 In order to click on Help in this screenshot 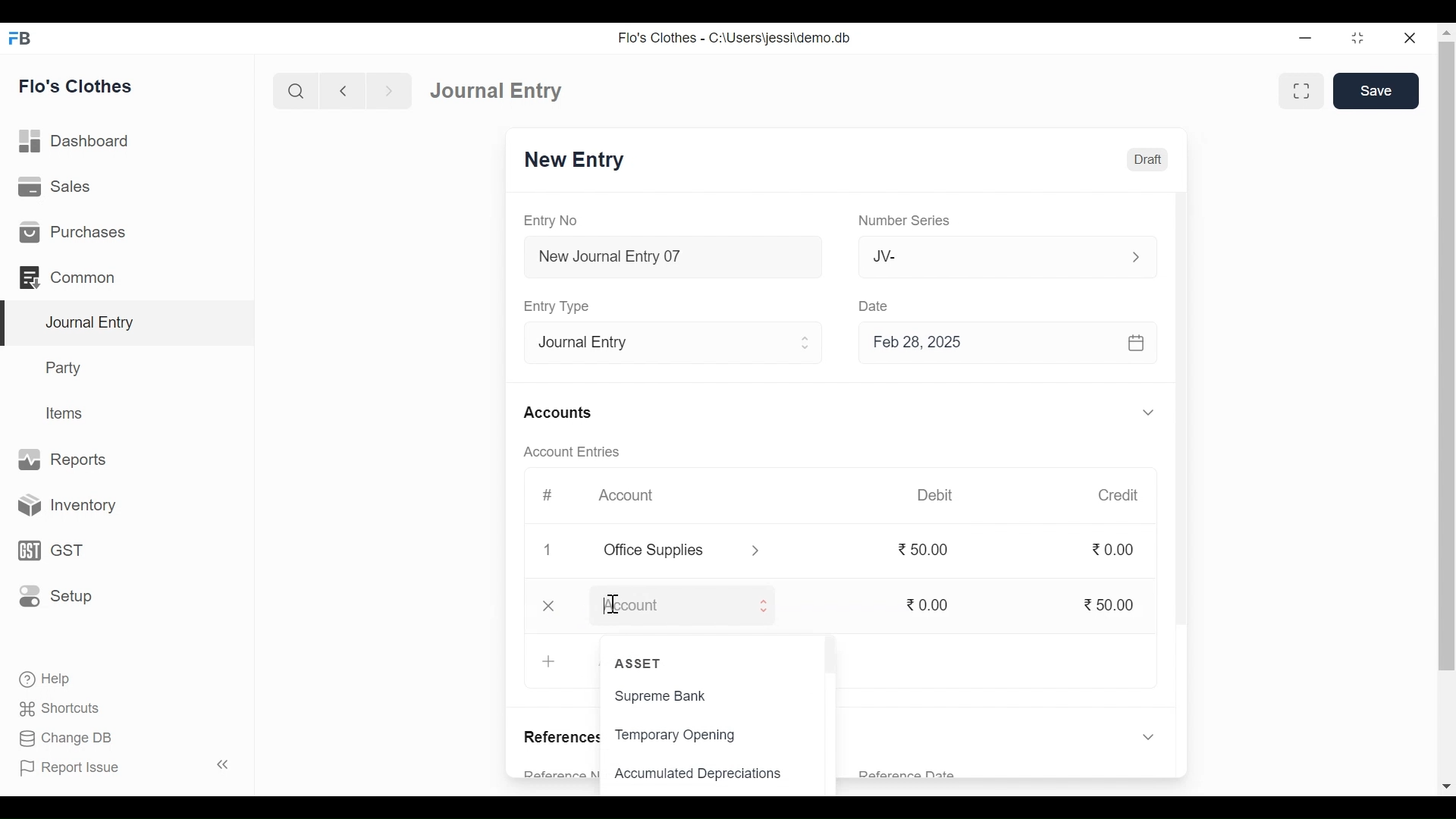, I will do `click(43, 677)`.